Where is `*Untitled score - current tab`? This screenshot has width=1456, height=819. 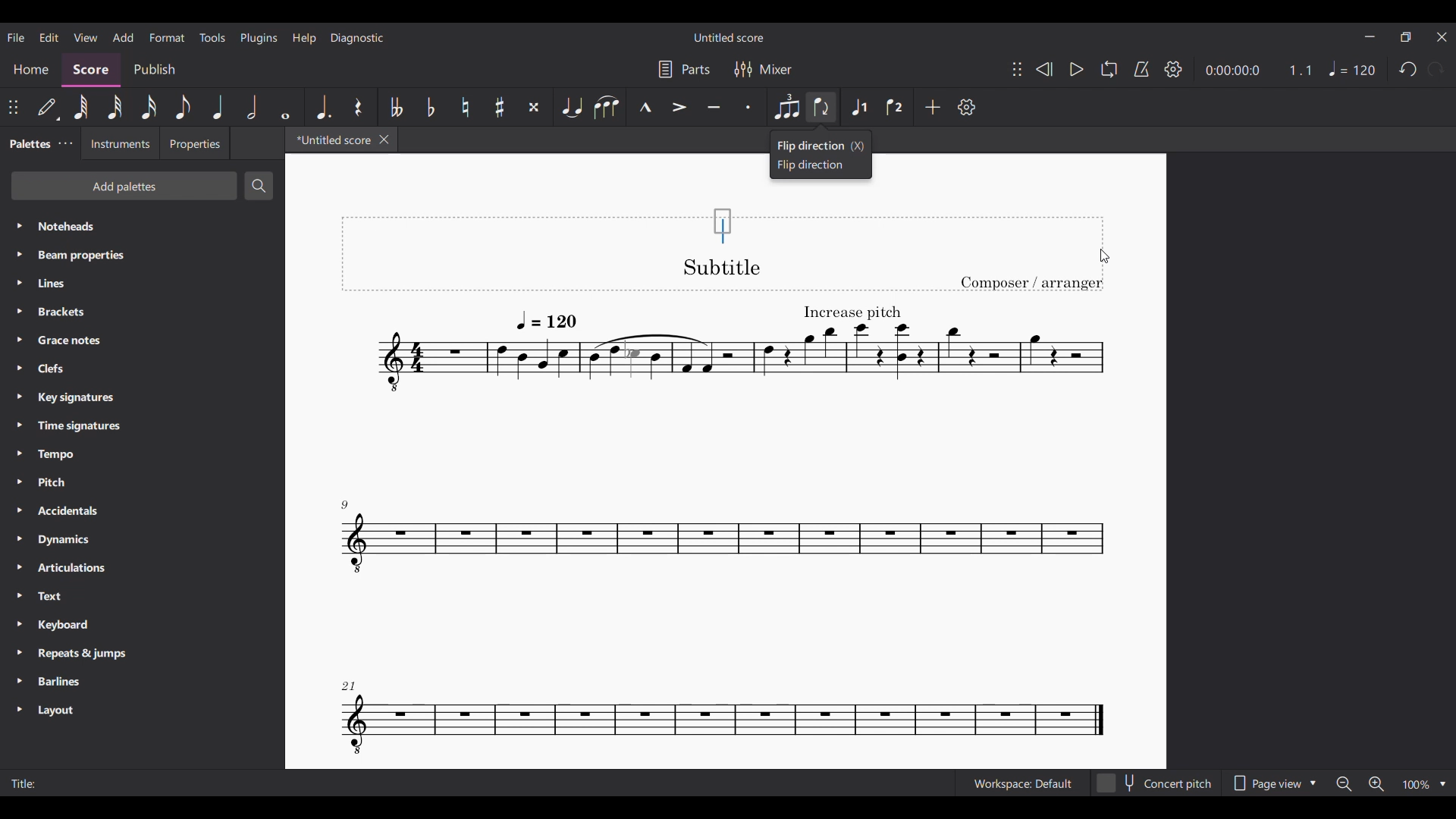 *Untitled score - current tab is located at coordinates (330, 140).